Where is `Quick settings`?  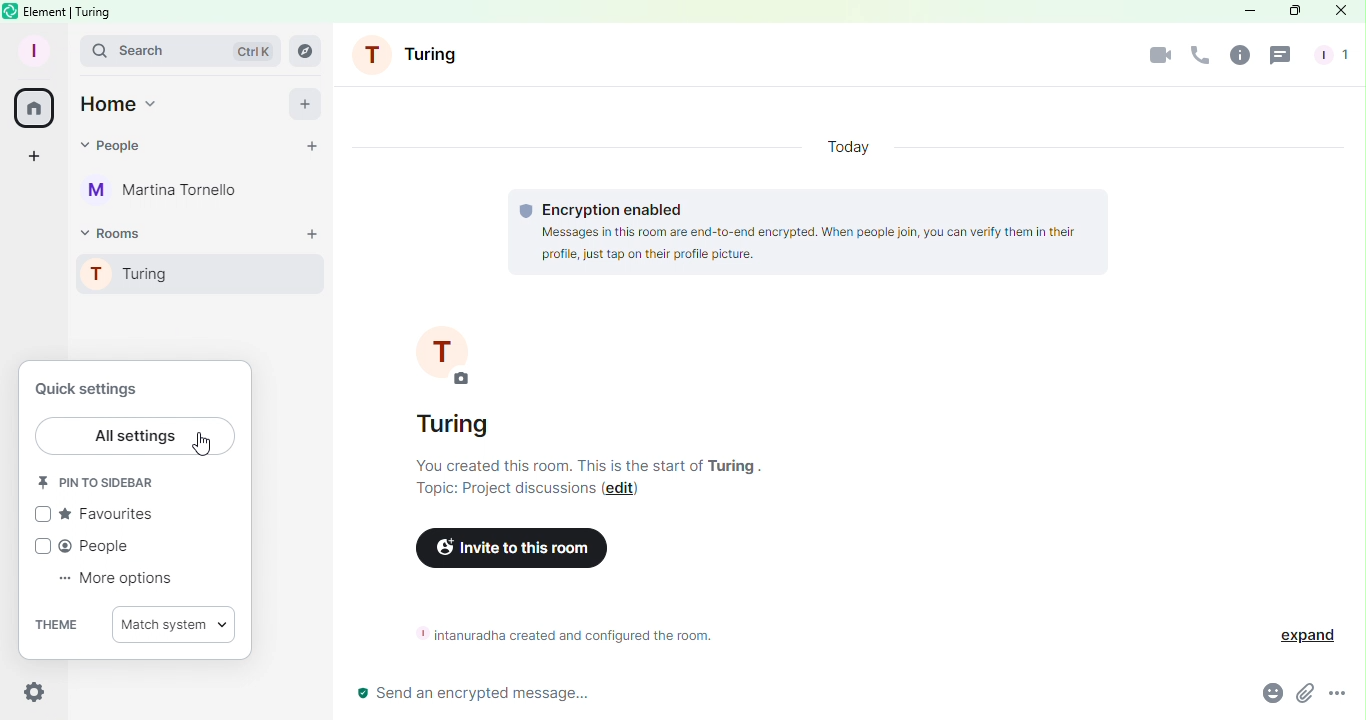
Quick settings is located at coordinates (86, 387).